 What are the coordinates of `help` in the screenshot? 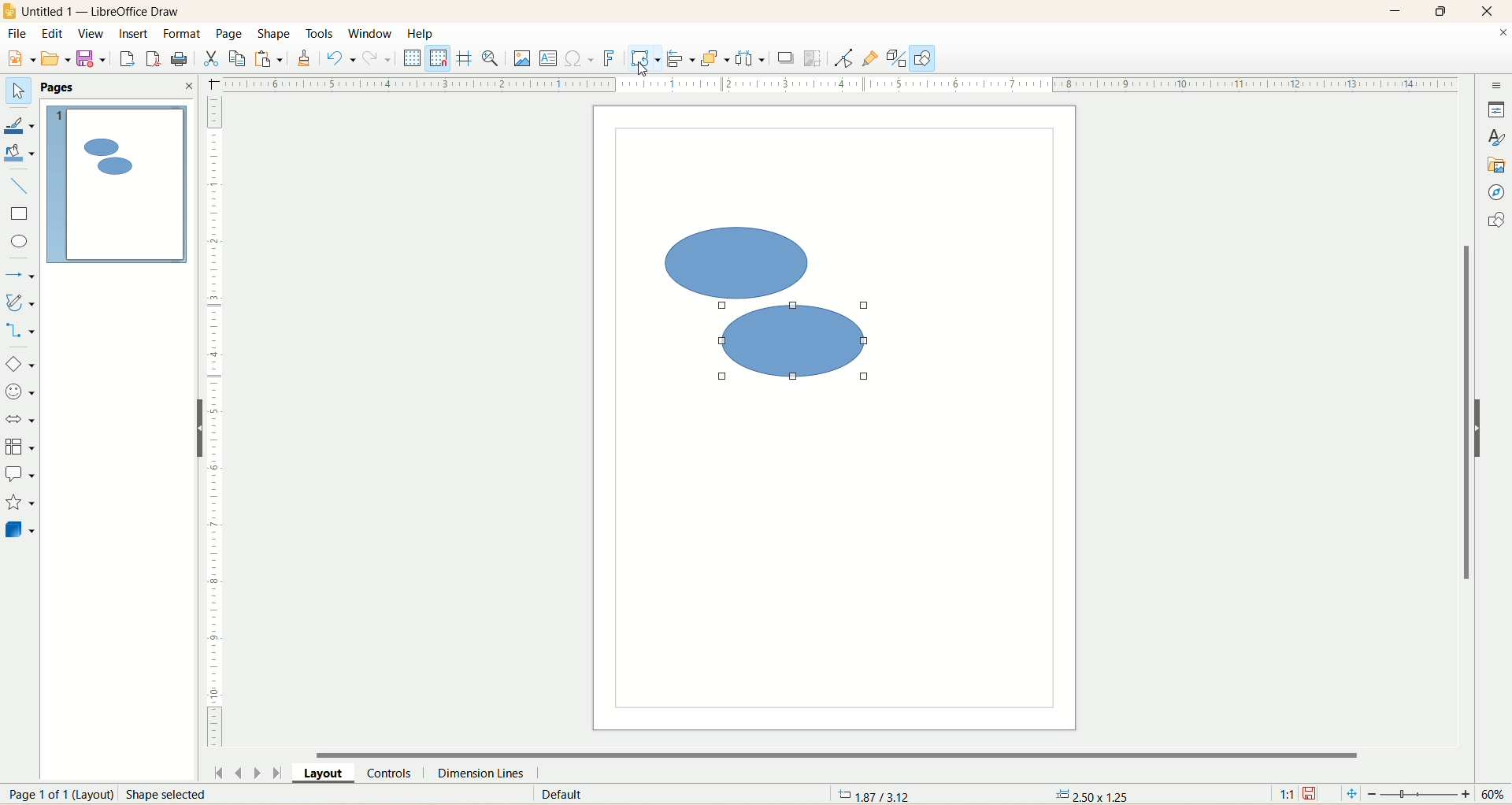 It's located at (424, 35).